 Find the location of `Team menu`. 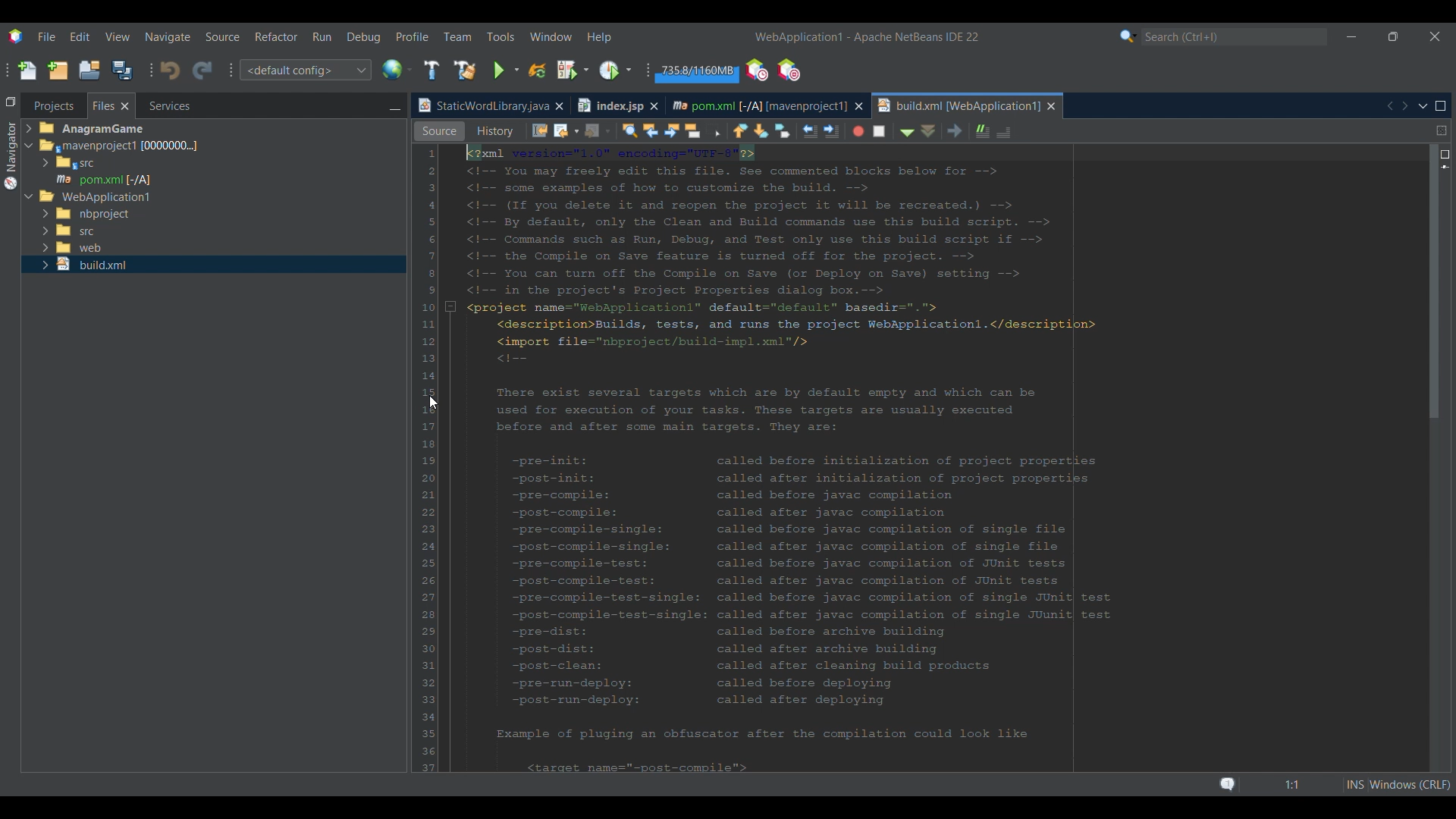

Team menu is located at coordinates (457, 36).